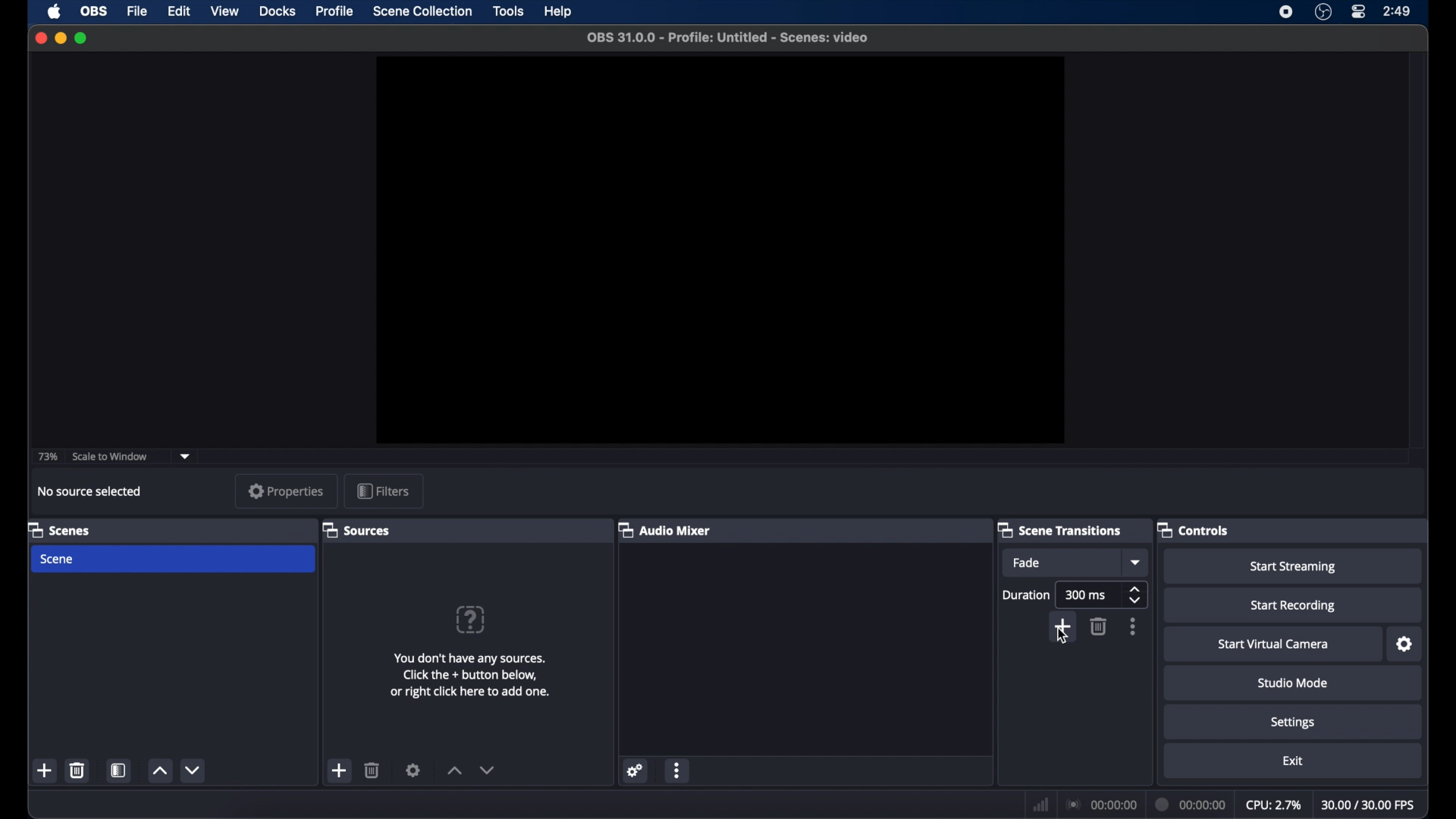 The width and height of the screenshot is (1456, 819). Describe the element at coordinates (93, 10) in the screenshot. I see `obs` at that location.